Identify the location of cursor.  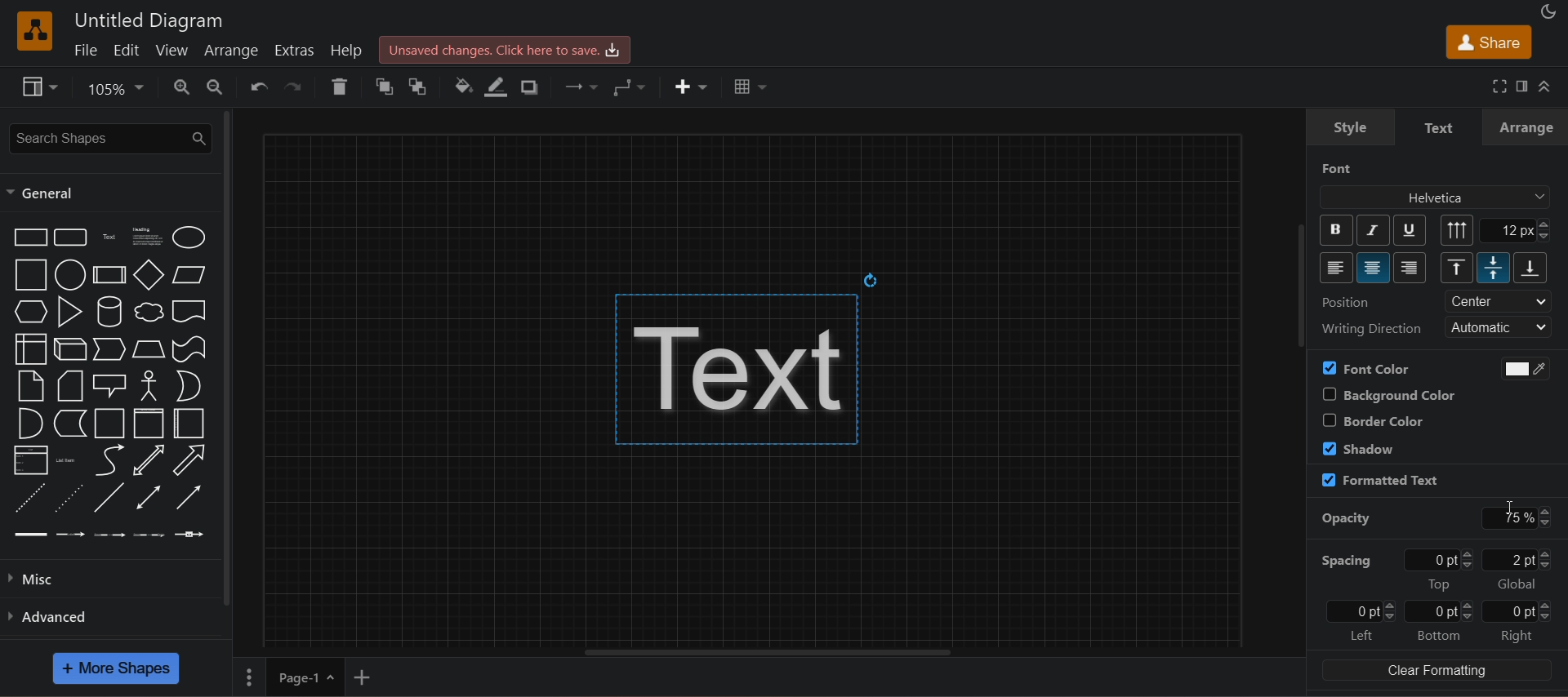
(1511, 511).